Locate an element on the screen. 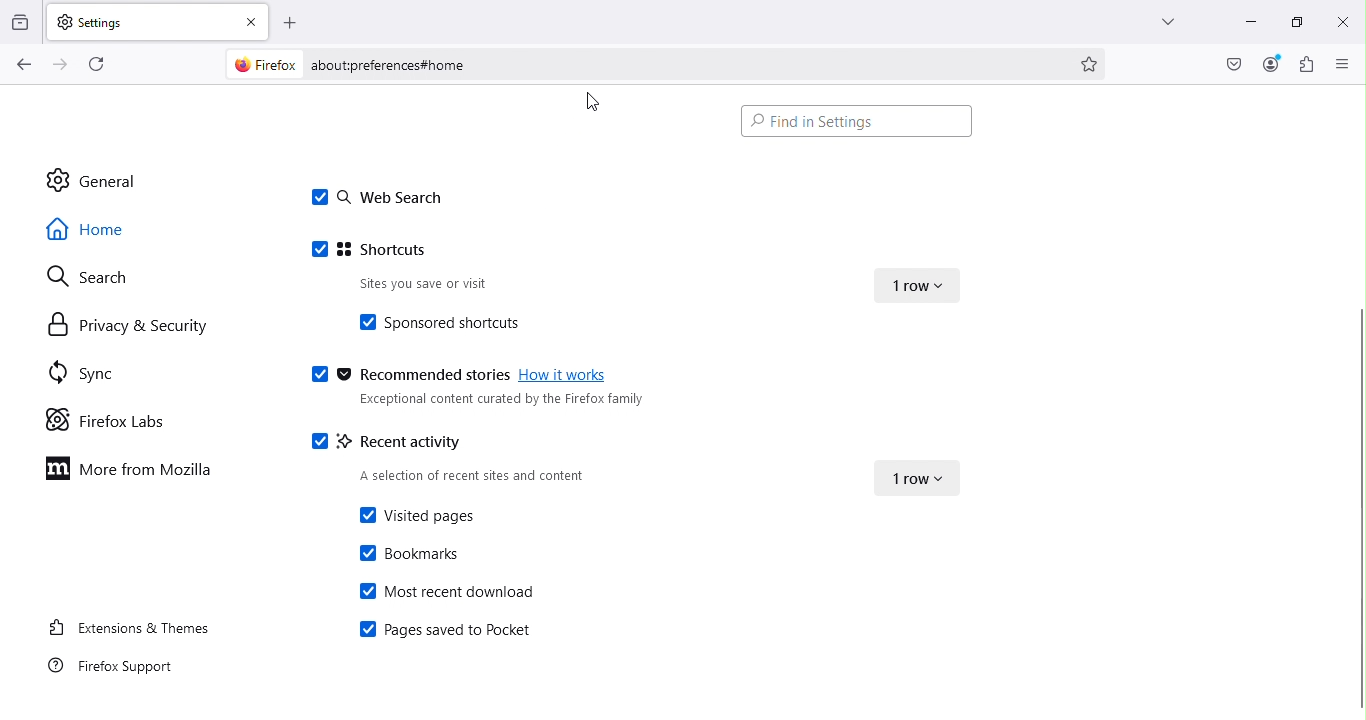  Go forward one page is located at coordinates (58, 65).